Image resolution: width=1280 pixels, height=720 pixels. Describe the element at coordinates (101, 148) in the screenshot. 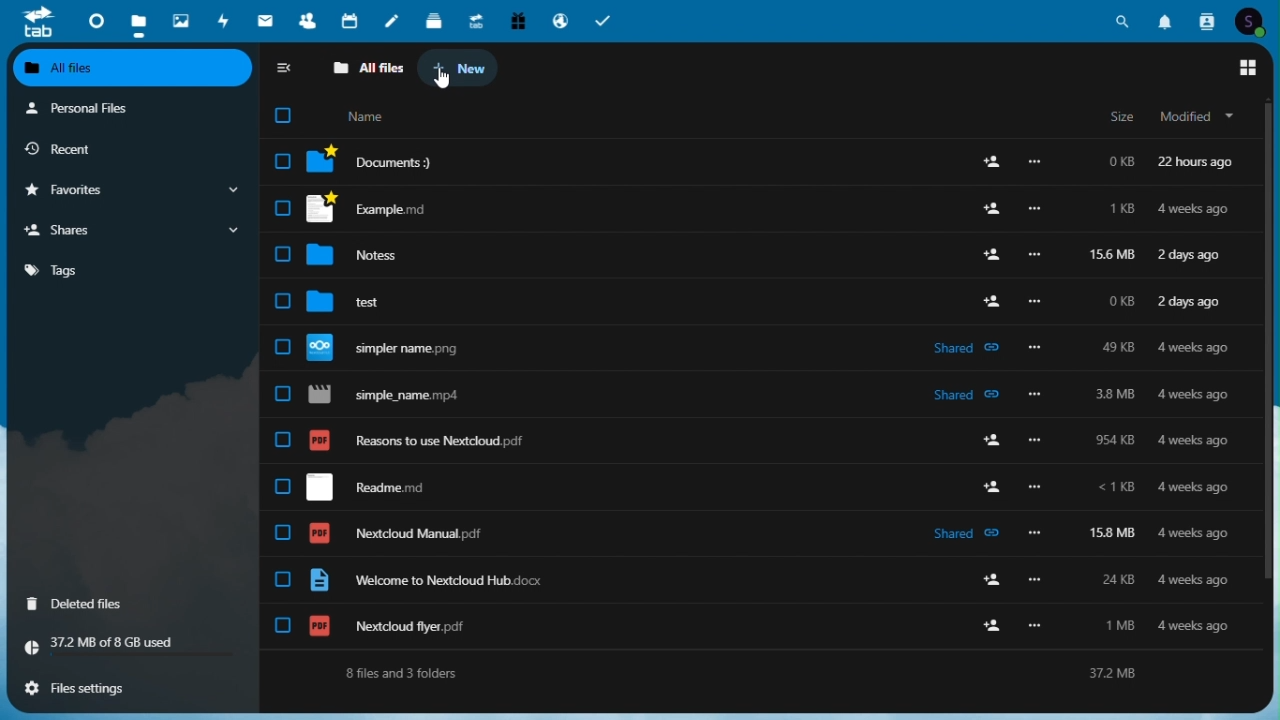

I see `Recent` at that location.